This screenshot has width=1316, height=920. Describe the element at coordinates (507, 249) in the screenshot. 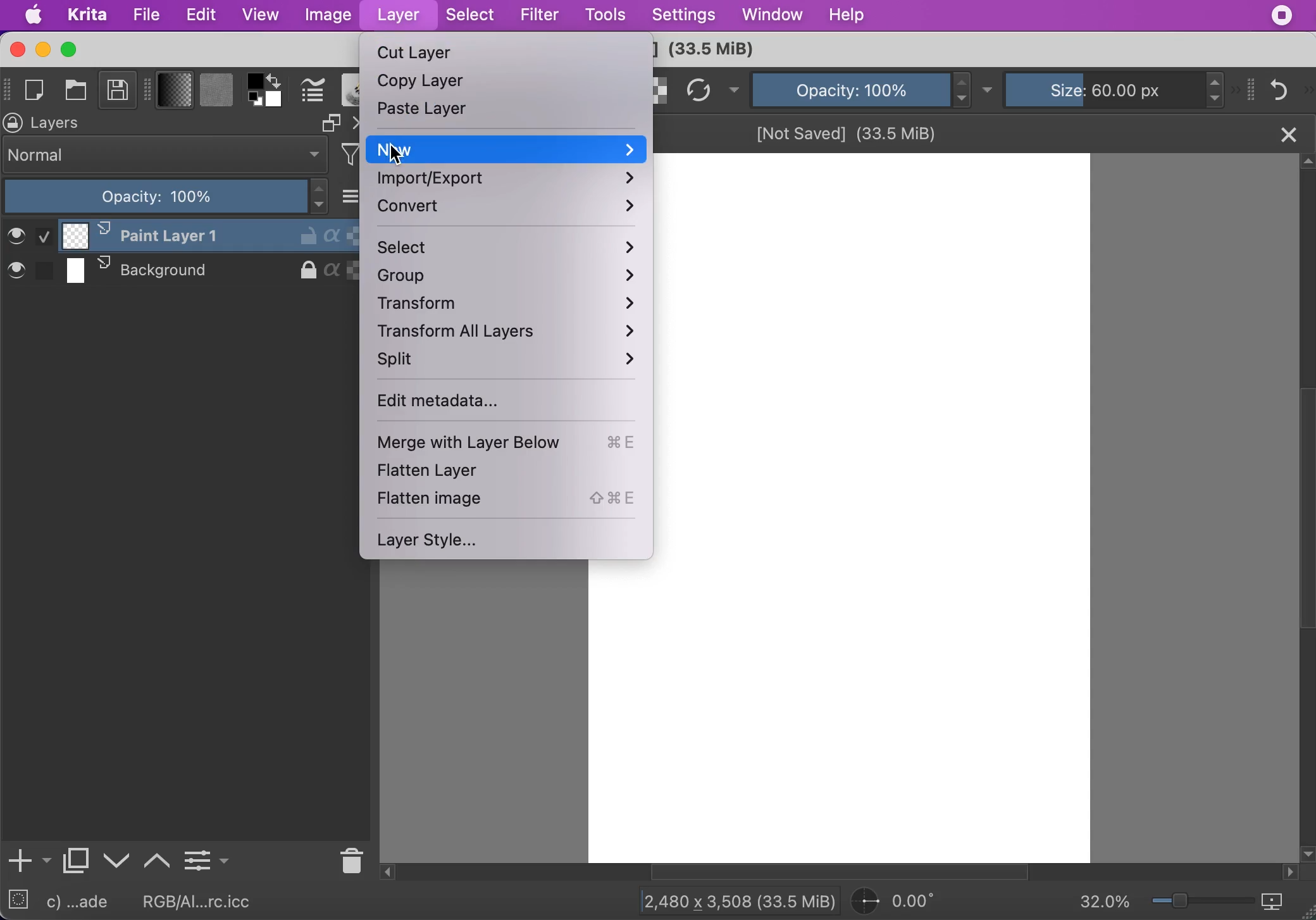

I see `select` at that location.